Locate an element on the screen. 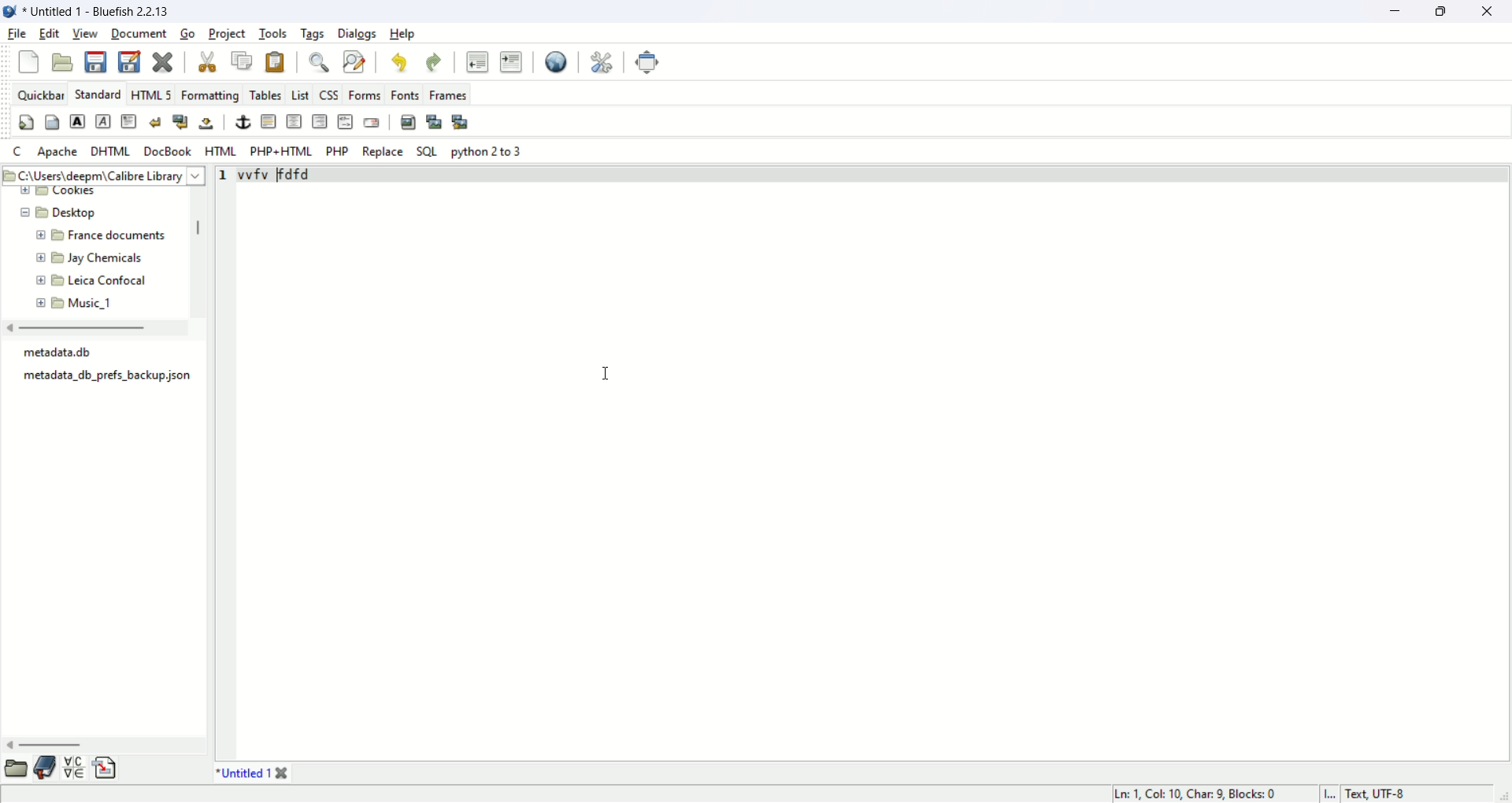 Image resolution: width=1512 pixels, height=803 pixels. fonts is located at coordinates (406, 96).